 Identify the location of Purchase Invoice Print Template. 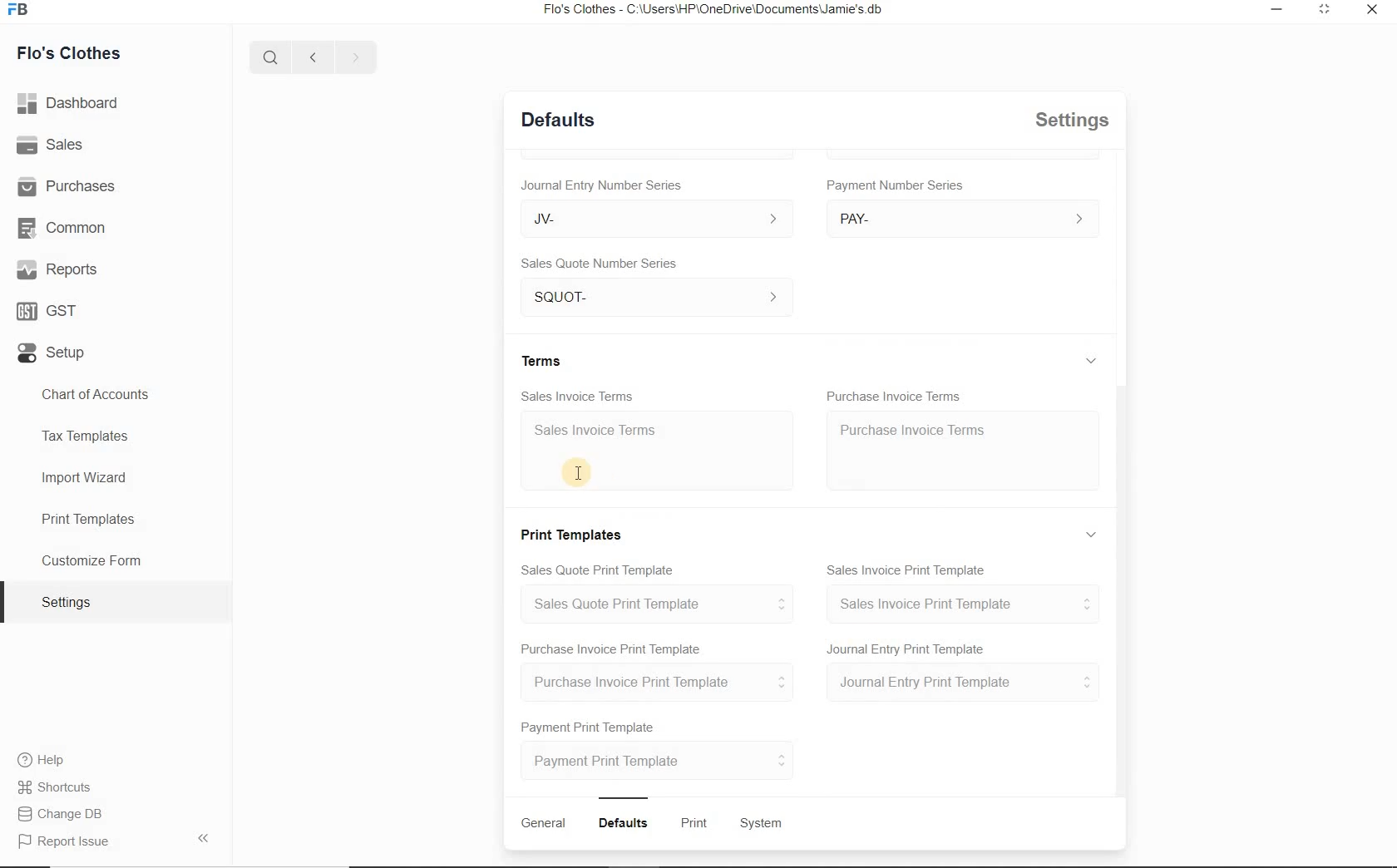
(656, 681).